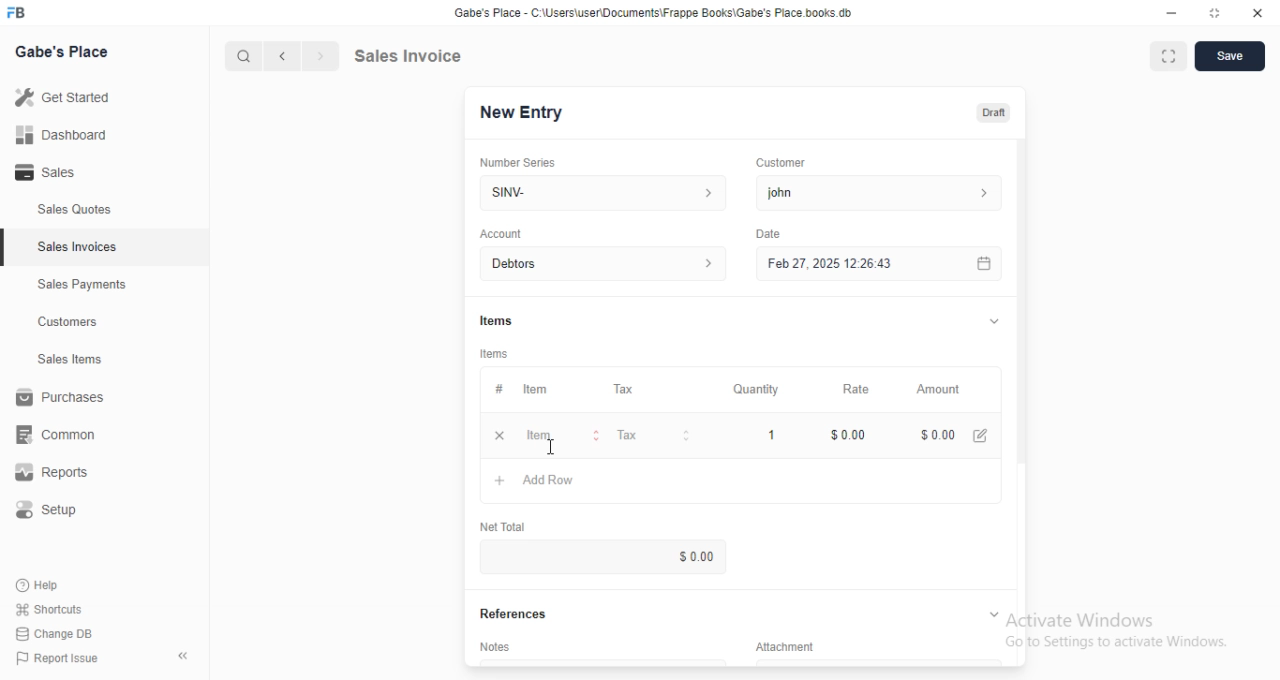 Image resolution: width=1280 pixels, height=680 pixels. What do you see at coordinates (777, 645) in the screenshot?
I see `Attachment` at bounding box center [777, 645].